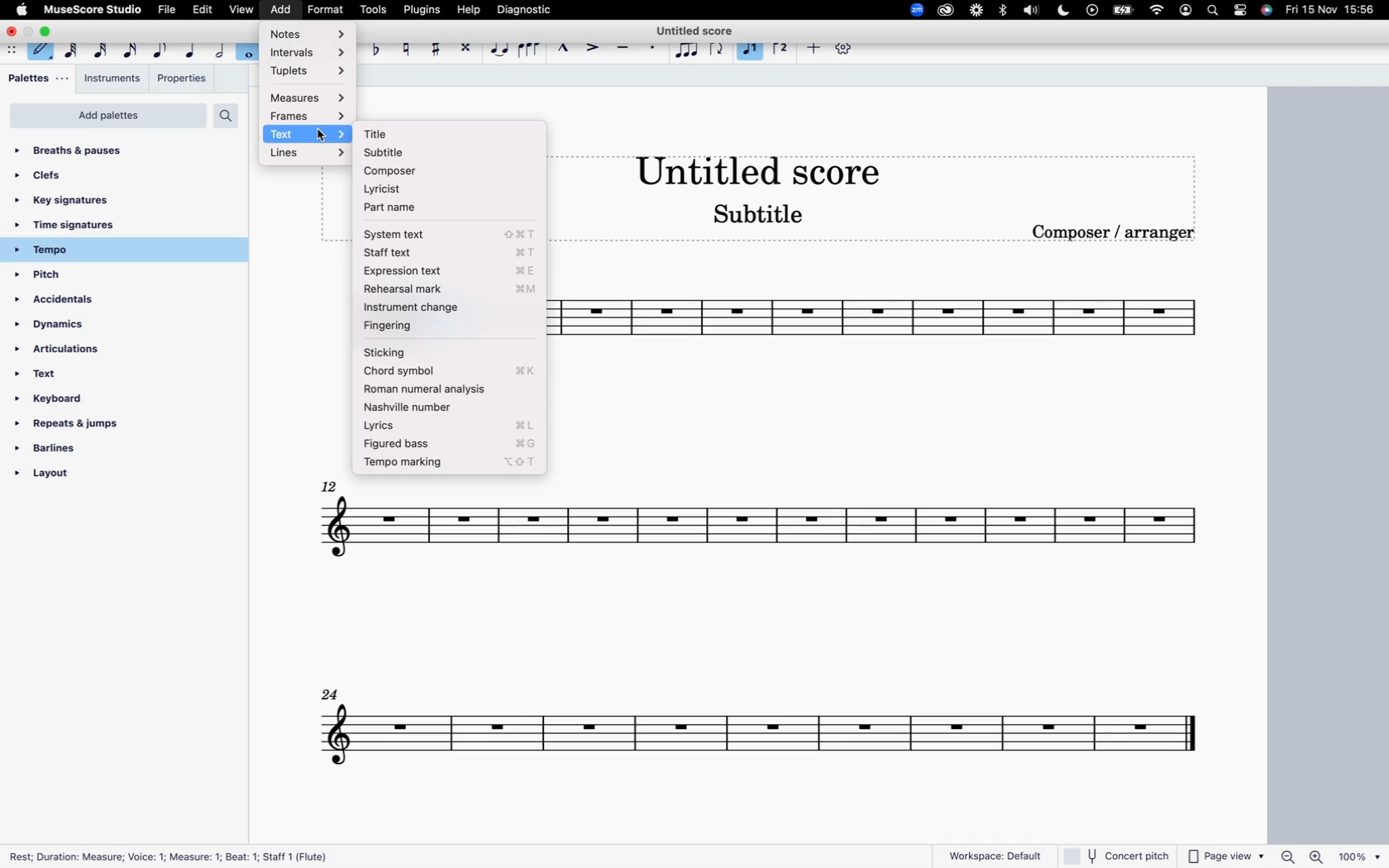  Describe the element at coordinates (49, 31) in the screenshot. I see `maximize` at that location.